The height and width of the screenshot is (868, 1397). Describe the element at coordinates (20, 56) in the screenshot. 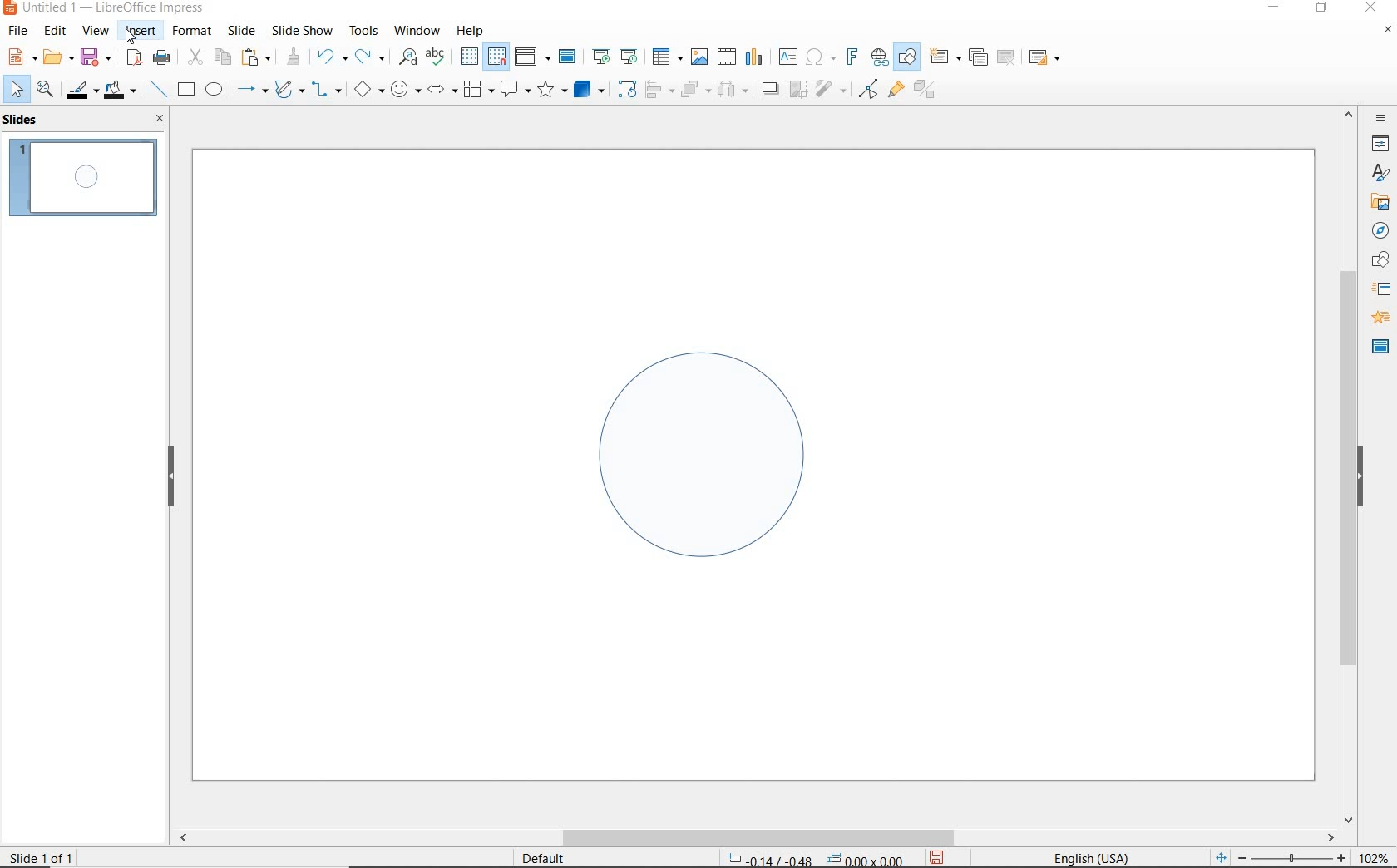

I see `new` at that location.